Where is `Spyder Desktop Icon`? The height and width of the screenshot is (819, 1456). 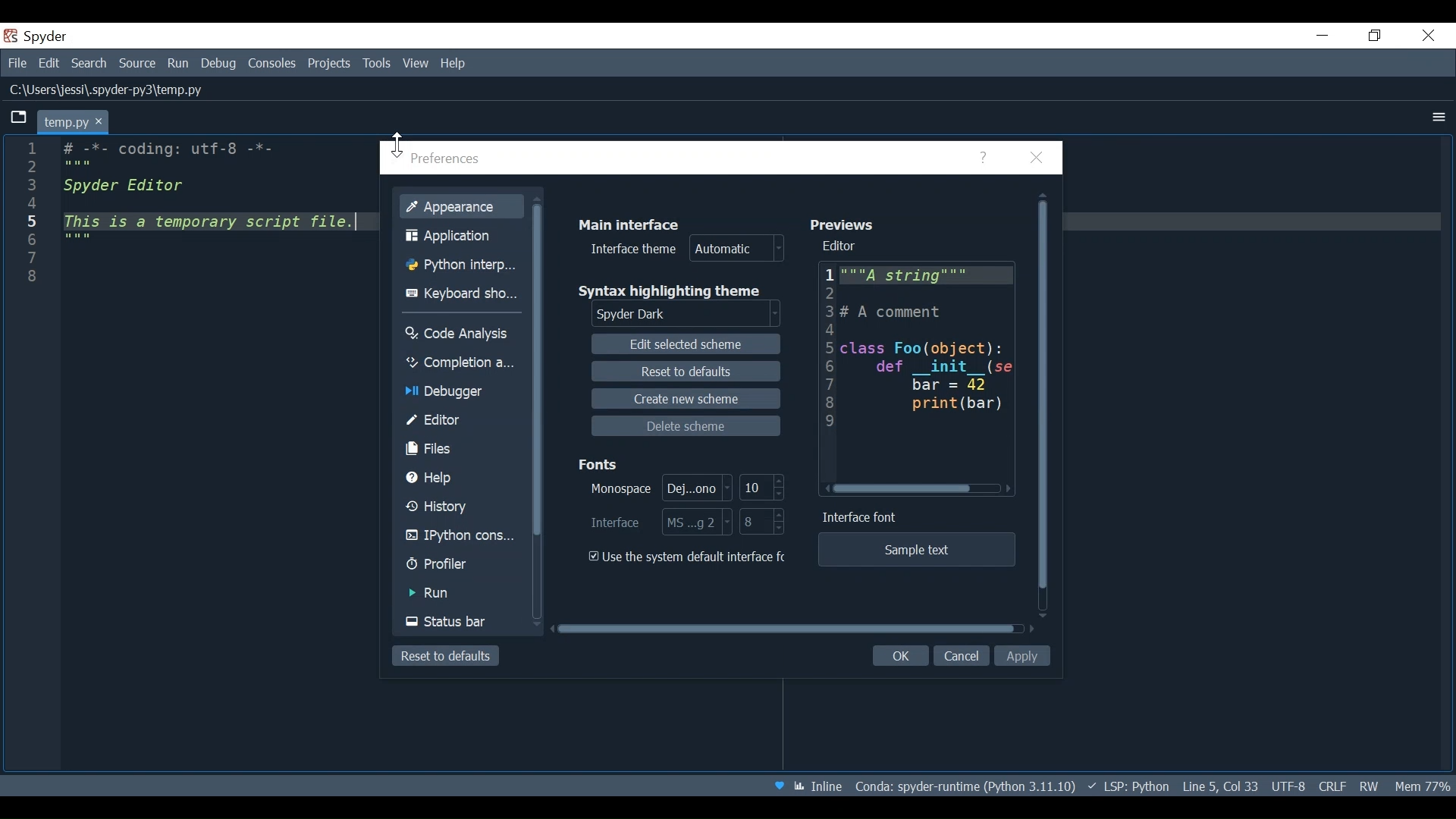
Spyder Desktop Icon is located at coordinates (35, 37).